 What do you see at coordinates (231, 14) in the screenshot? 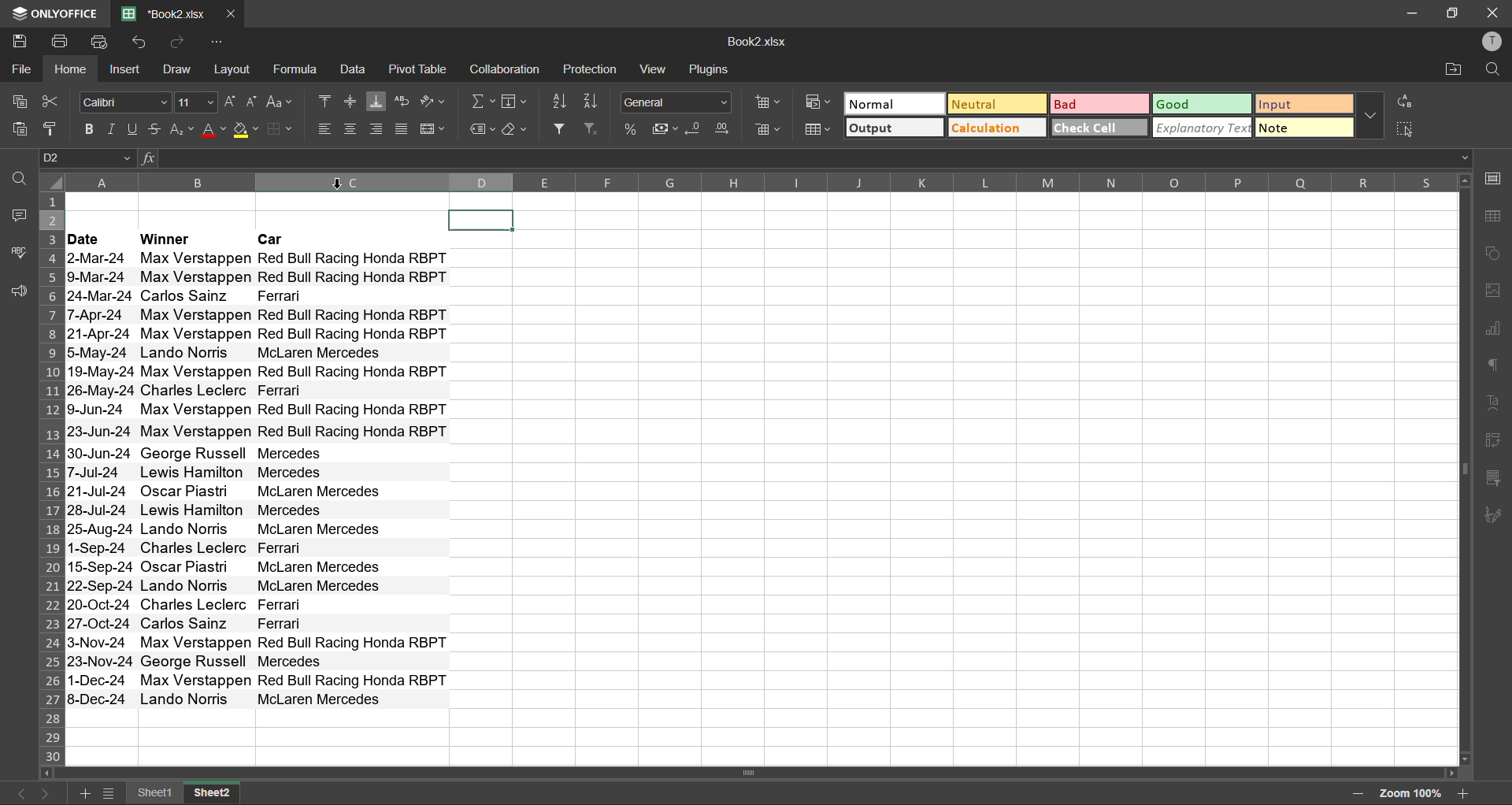
I see `close tab` at bounding box center [231, 14].